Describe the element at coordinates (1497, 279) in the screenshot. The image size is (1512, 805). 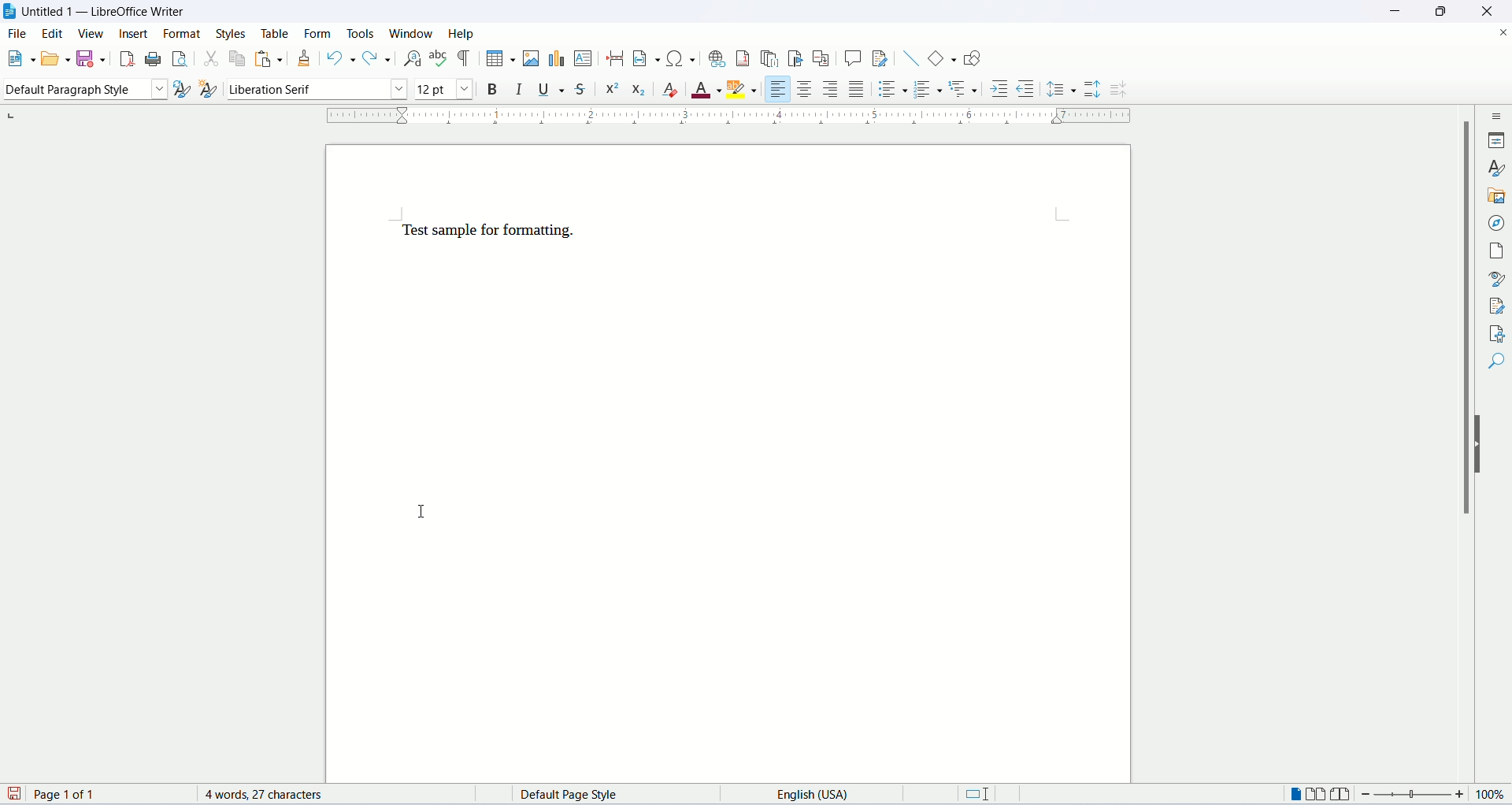
I see `style inspector` at that location.